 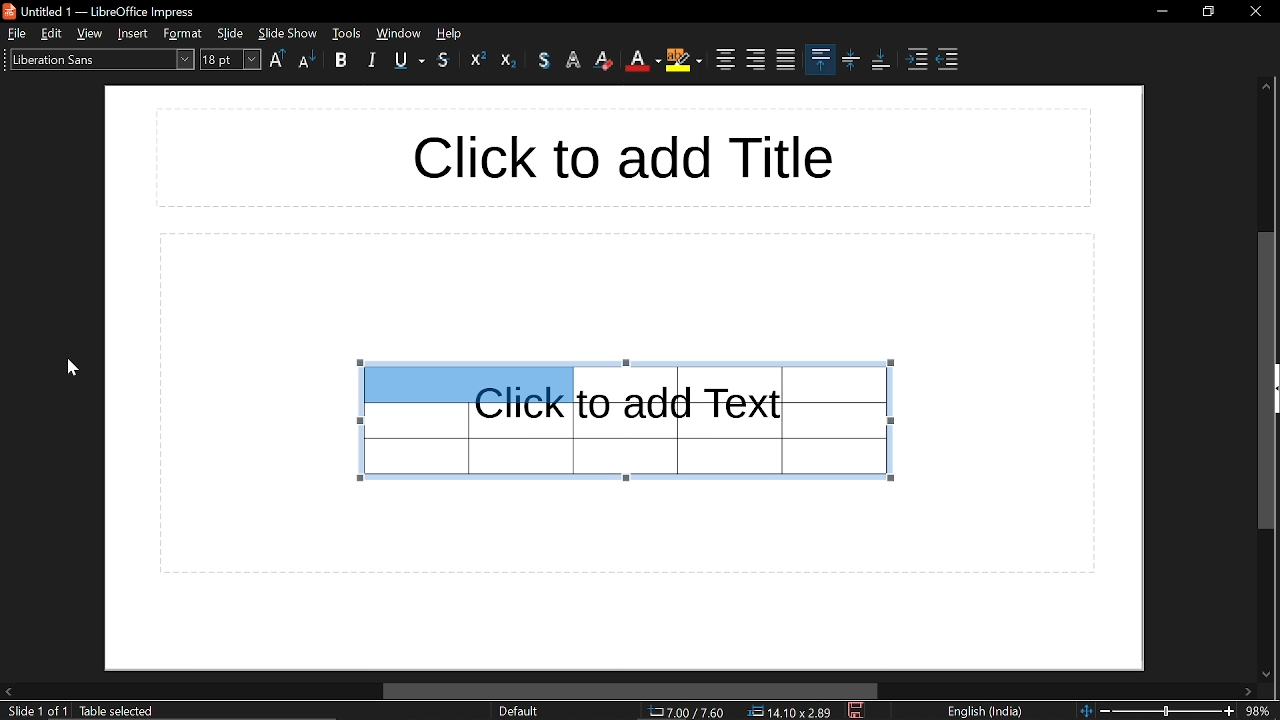 What do you see at coordinates (1229, 711) in the screenshot?
I see `zoom in` at bounding box center [1229, 711].